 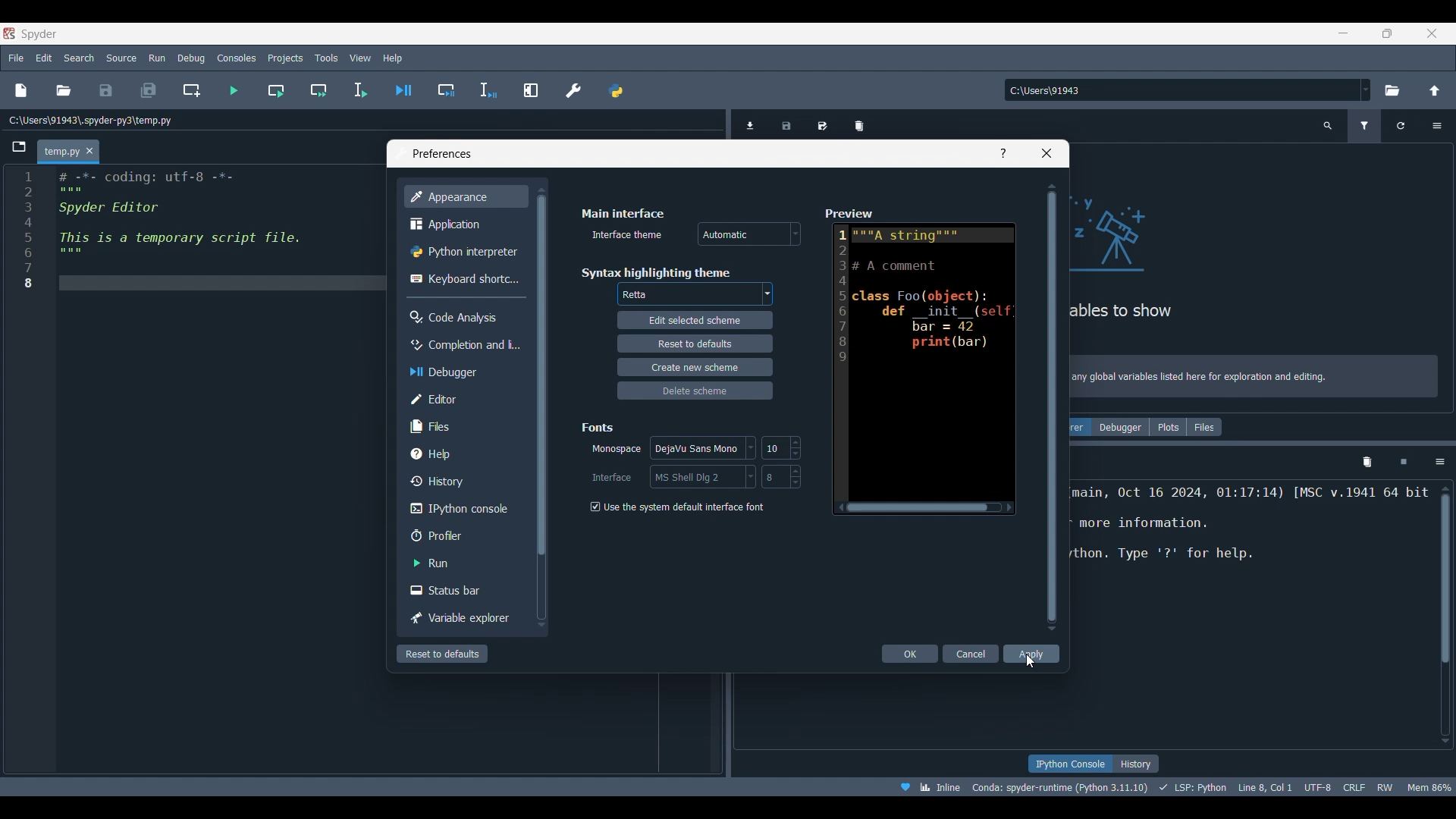 What do you see at coordinates (16, 55) in the screenshot?
I see `File menu` at bounding box center [16, 55].